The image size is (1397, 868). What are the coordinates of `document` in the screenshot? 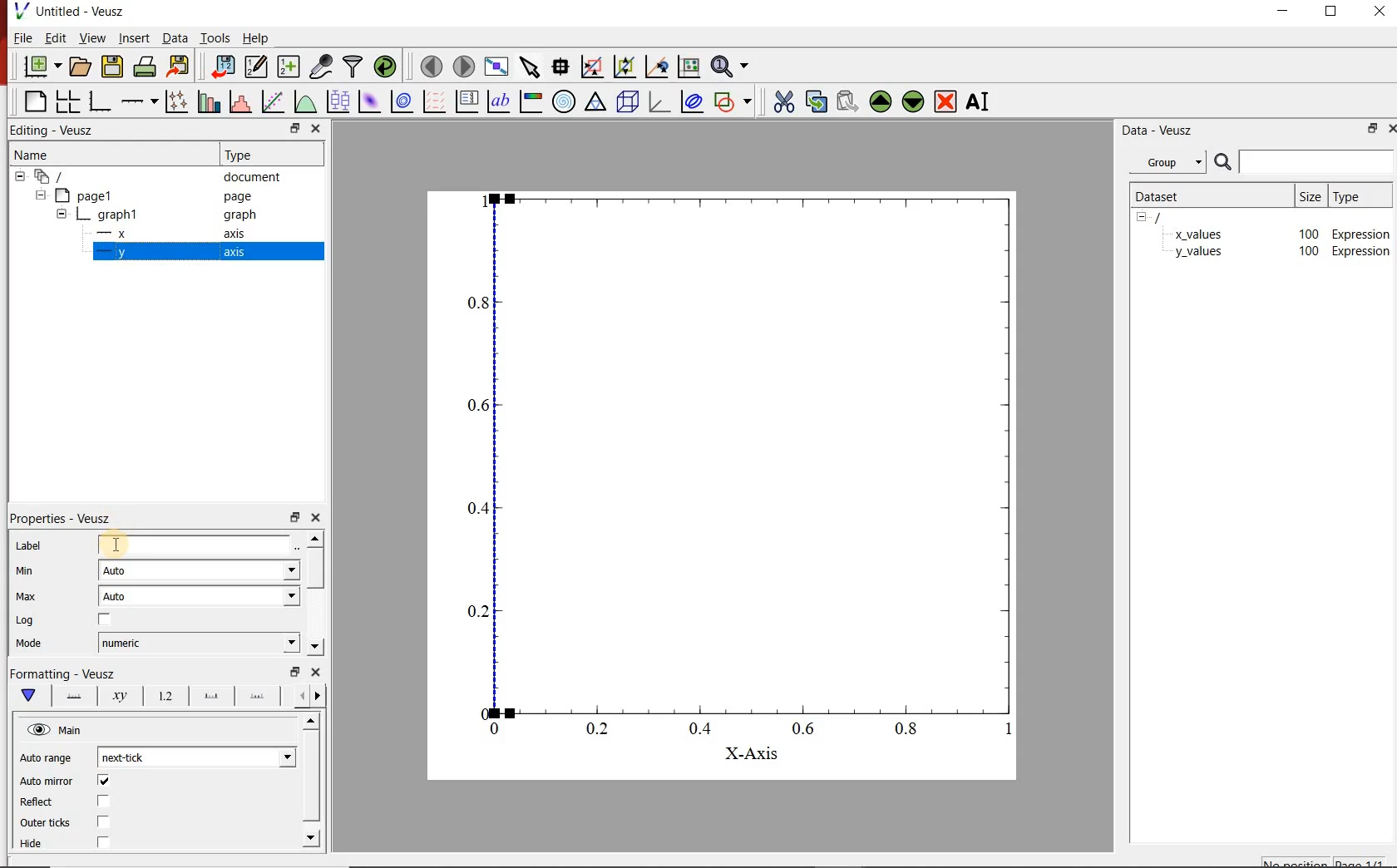 It's located at (250, 177).